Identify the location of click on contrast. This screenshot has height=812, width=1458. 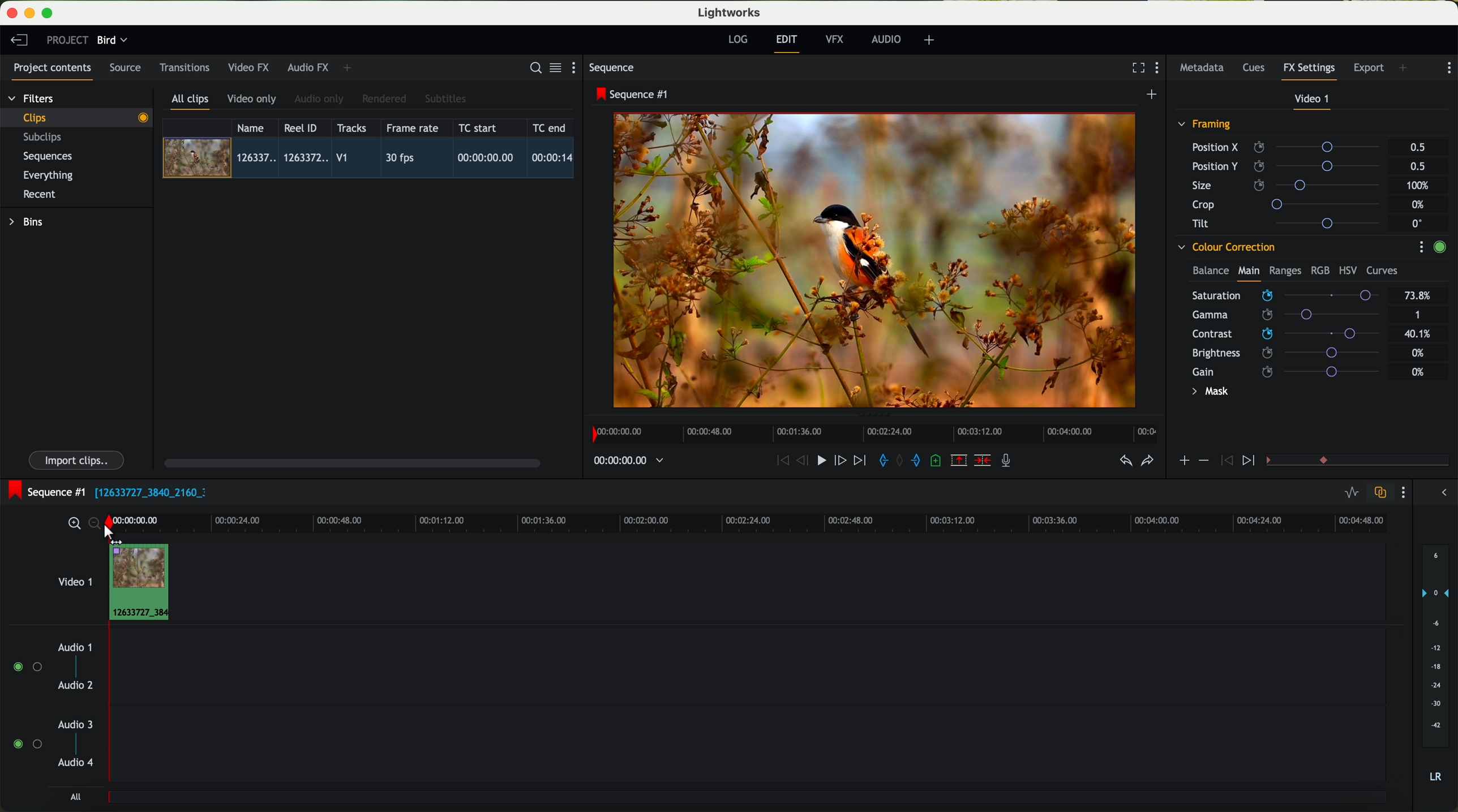
(1286, 335).